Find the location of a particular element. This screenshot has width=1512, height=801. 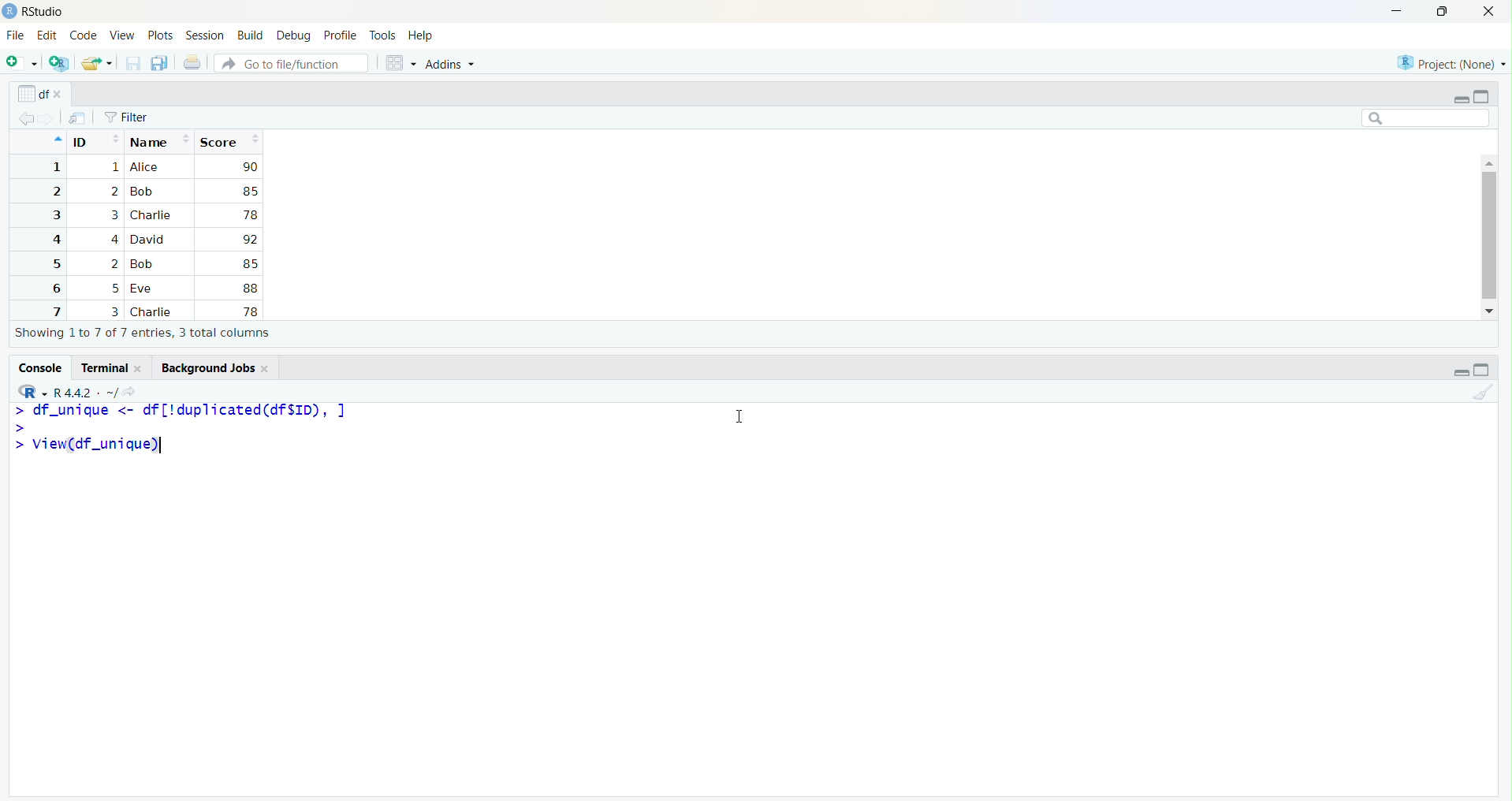

Plots is located at coordinates (161, 36).